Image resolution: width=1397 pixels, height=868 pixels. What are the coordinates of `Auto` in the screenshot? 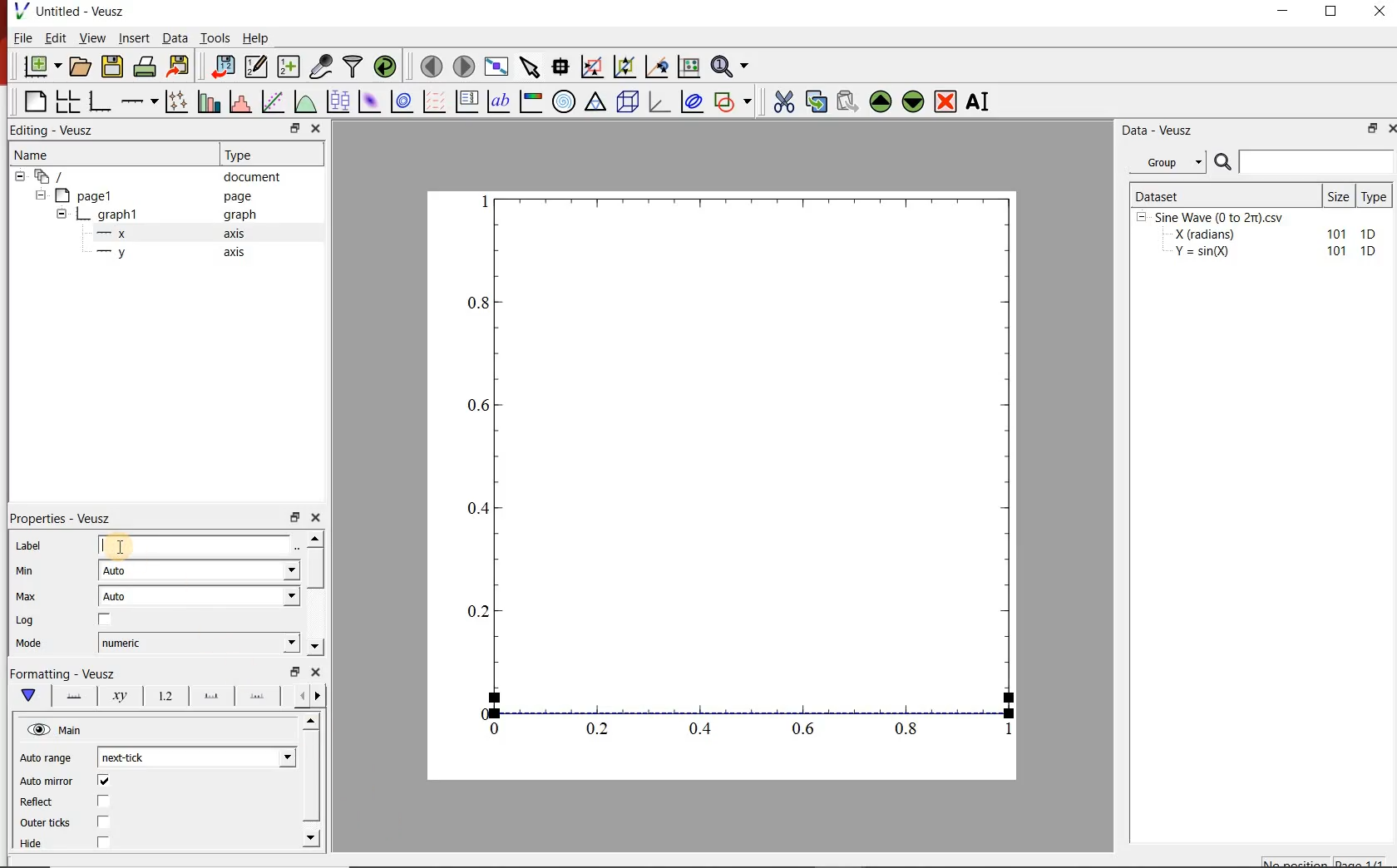 It's located at (200, 571).